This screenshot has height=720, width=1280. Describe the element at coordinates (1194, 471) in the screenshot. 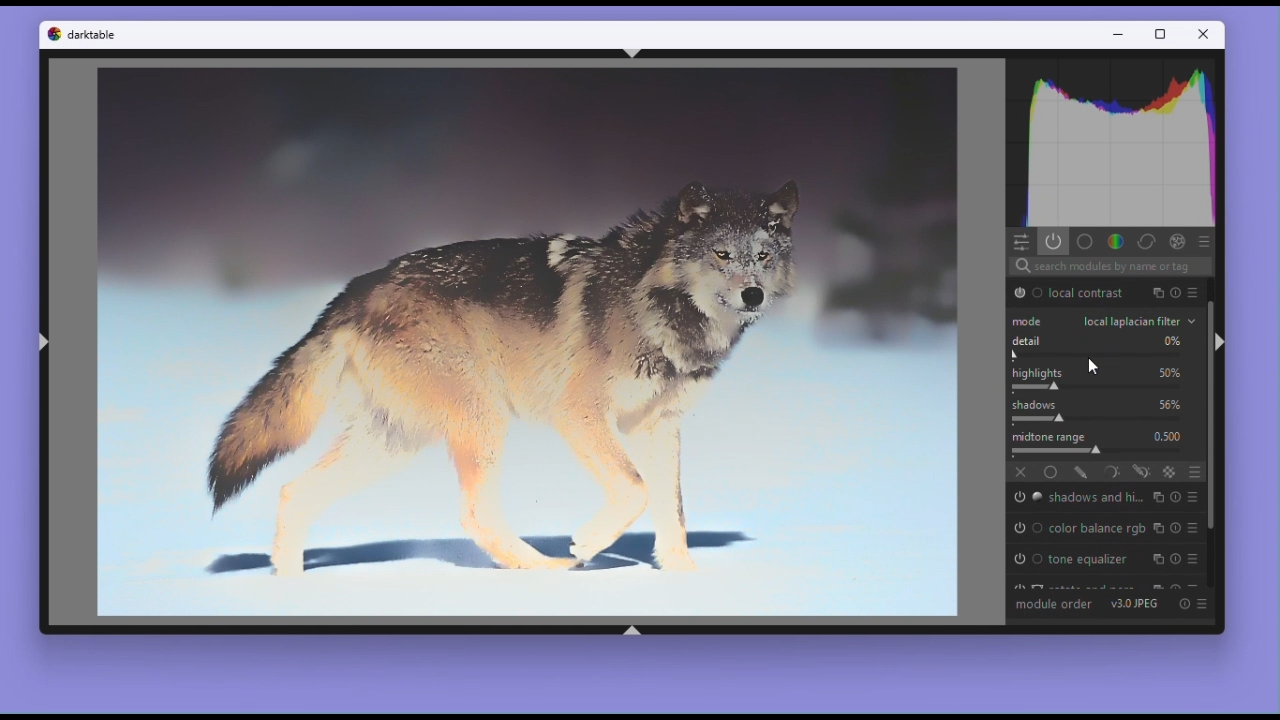

I see `Blending options` at that location.